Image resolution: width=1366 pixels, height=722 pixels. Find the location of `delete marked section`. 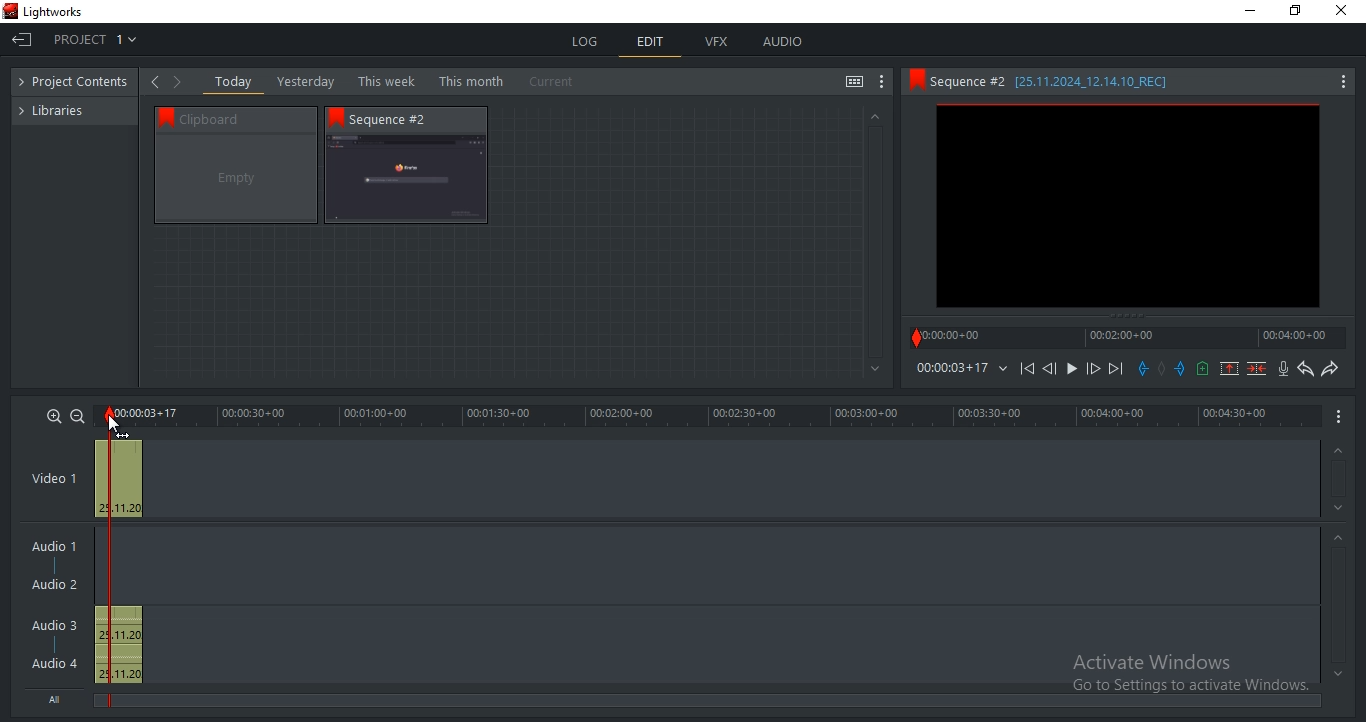

delete marked section is located at coordinates (1258, 368).